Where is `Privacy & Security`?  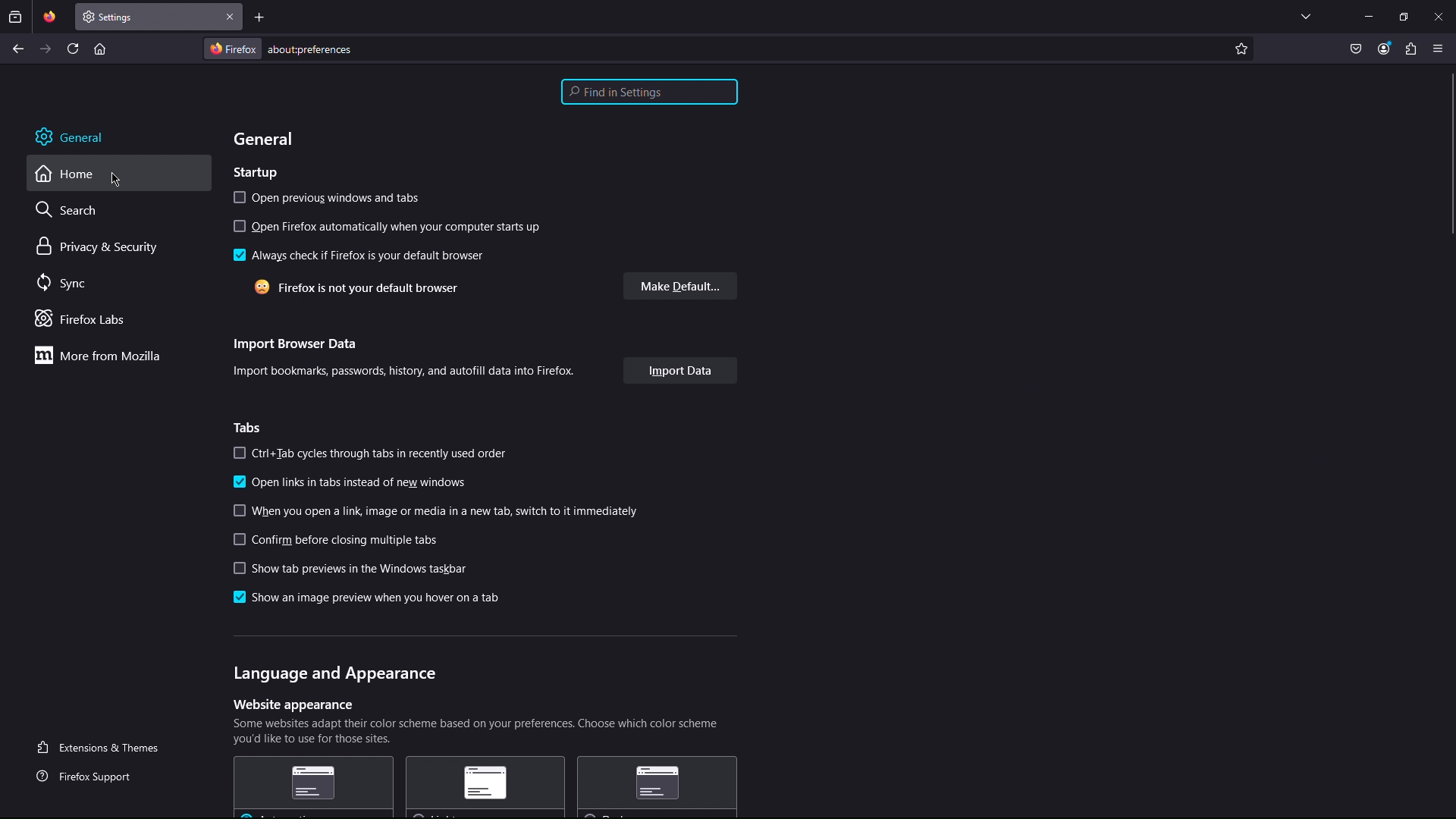
Privacy & Security is located at coordinates (98, 247).